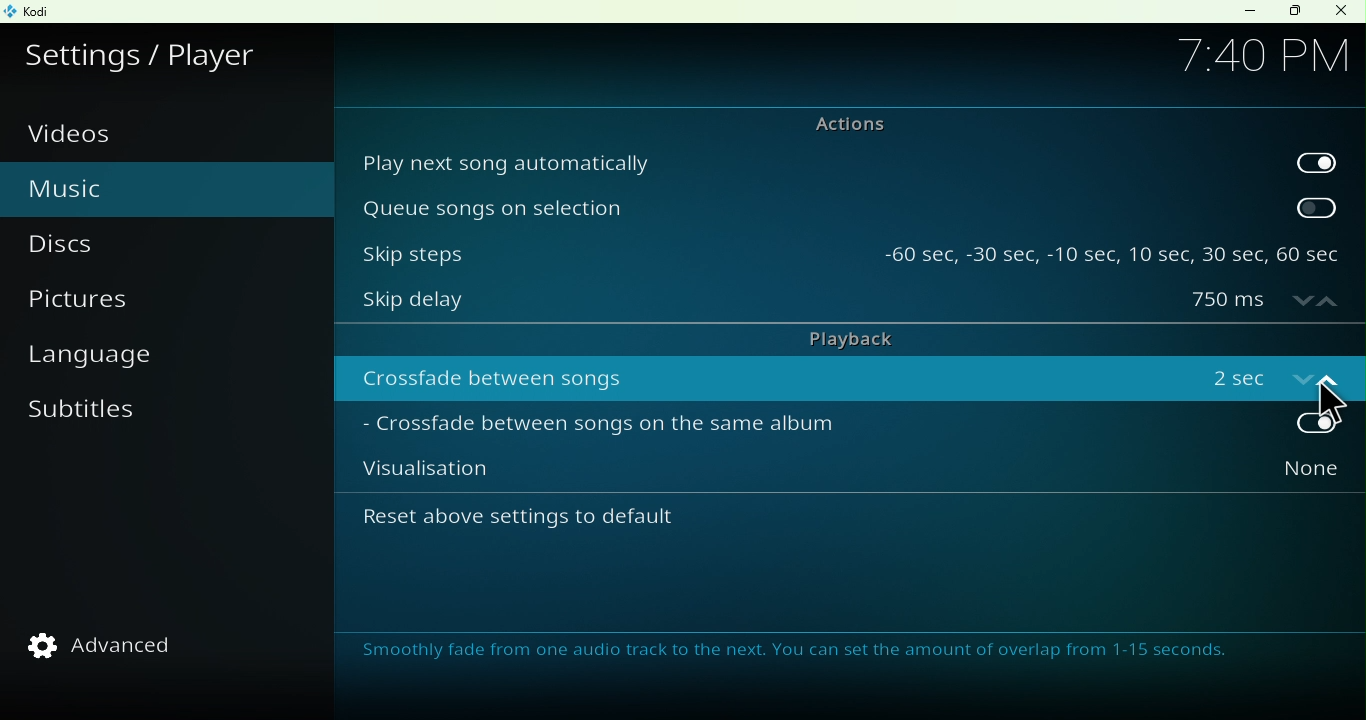 This screenshot has height=720, width=1366. What do you see at coordinates (1318, 207) in the screenshot?
I see `toggle` at bounding box center [1318, 207].